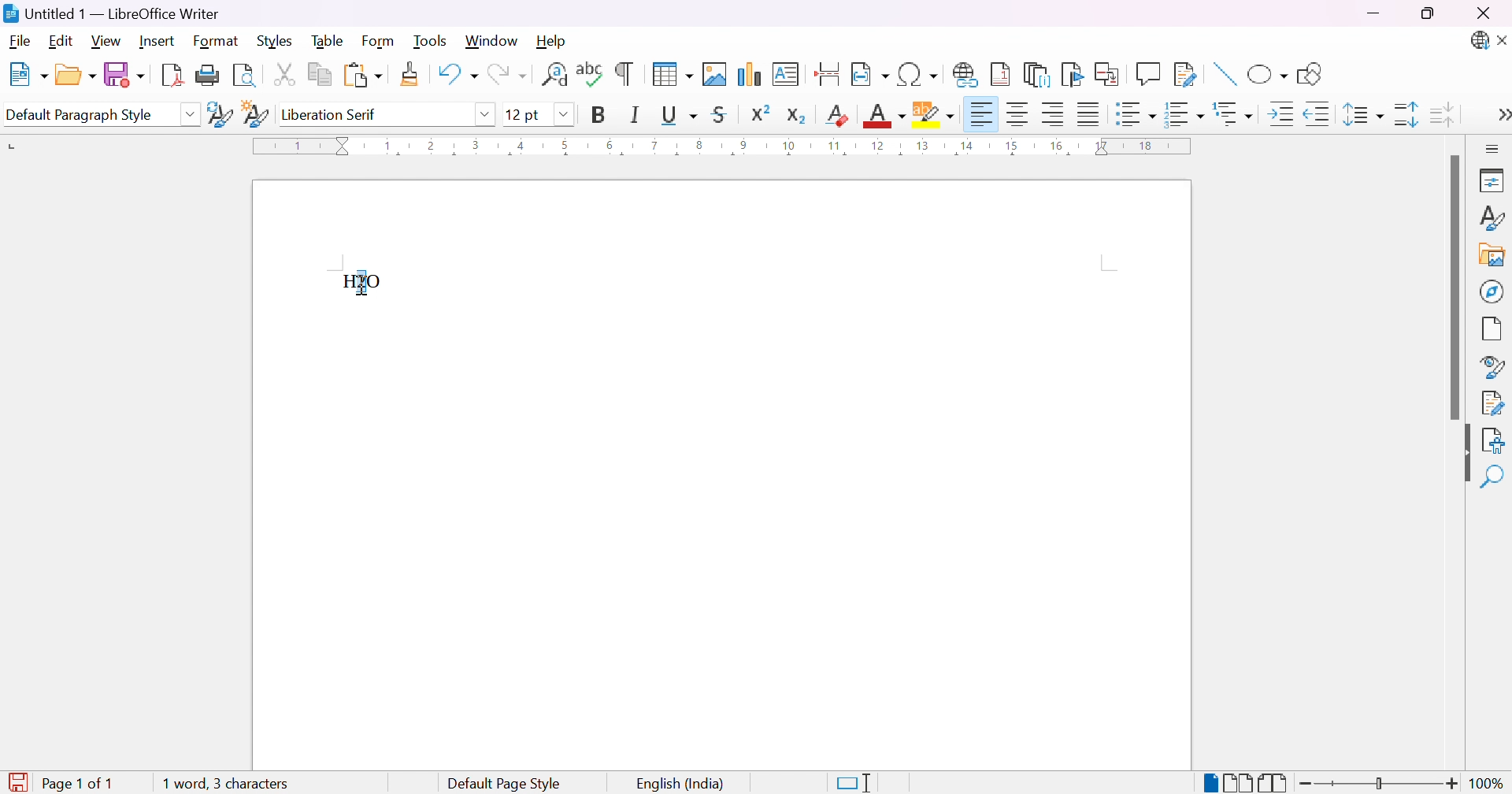 This screenshot has height=794, width=1512. Describe the element at coordinates (1185, 75) in the screenshot. I see `Show track changes functions` at that location.